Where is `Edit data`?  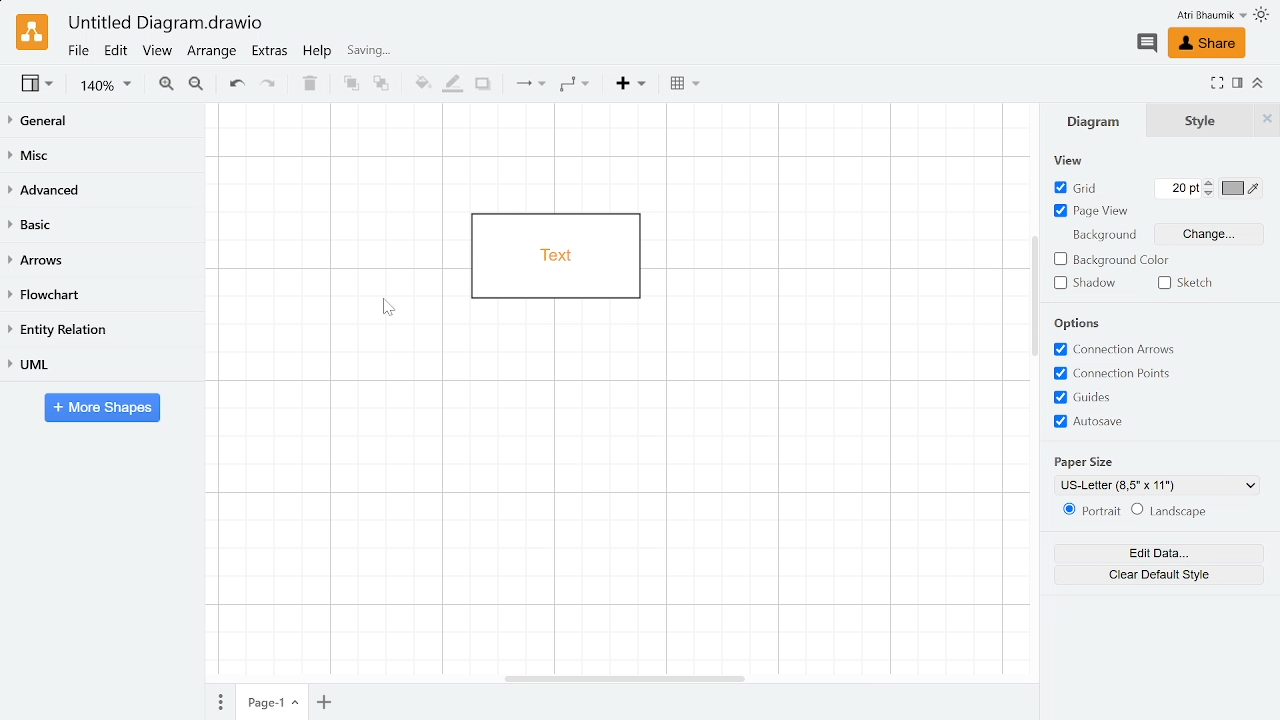 Edit data is located at coordinates (1153, 554).